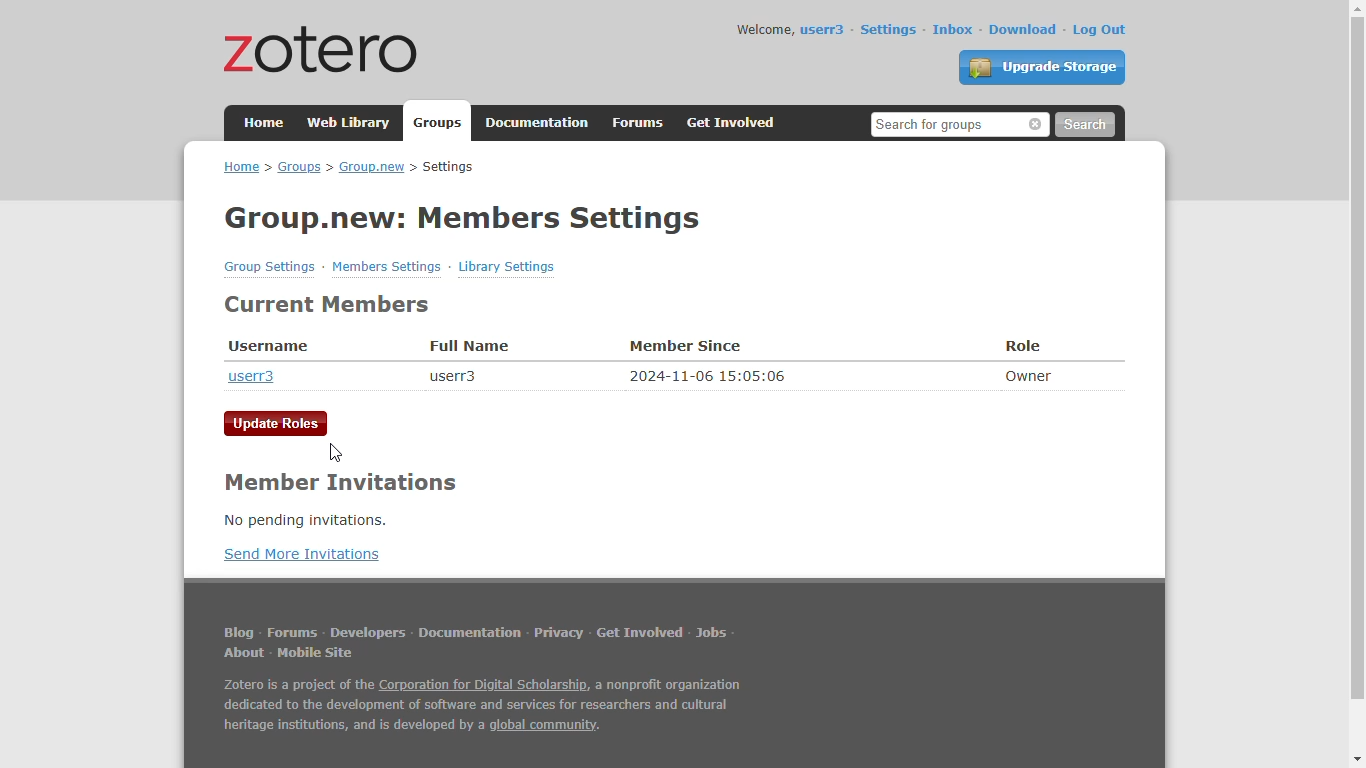  Describe the element at coordinates (468, 346) in the screenshot. I see `full name` at that location.